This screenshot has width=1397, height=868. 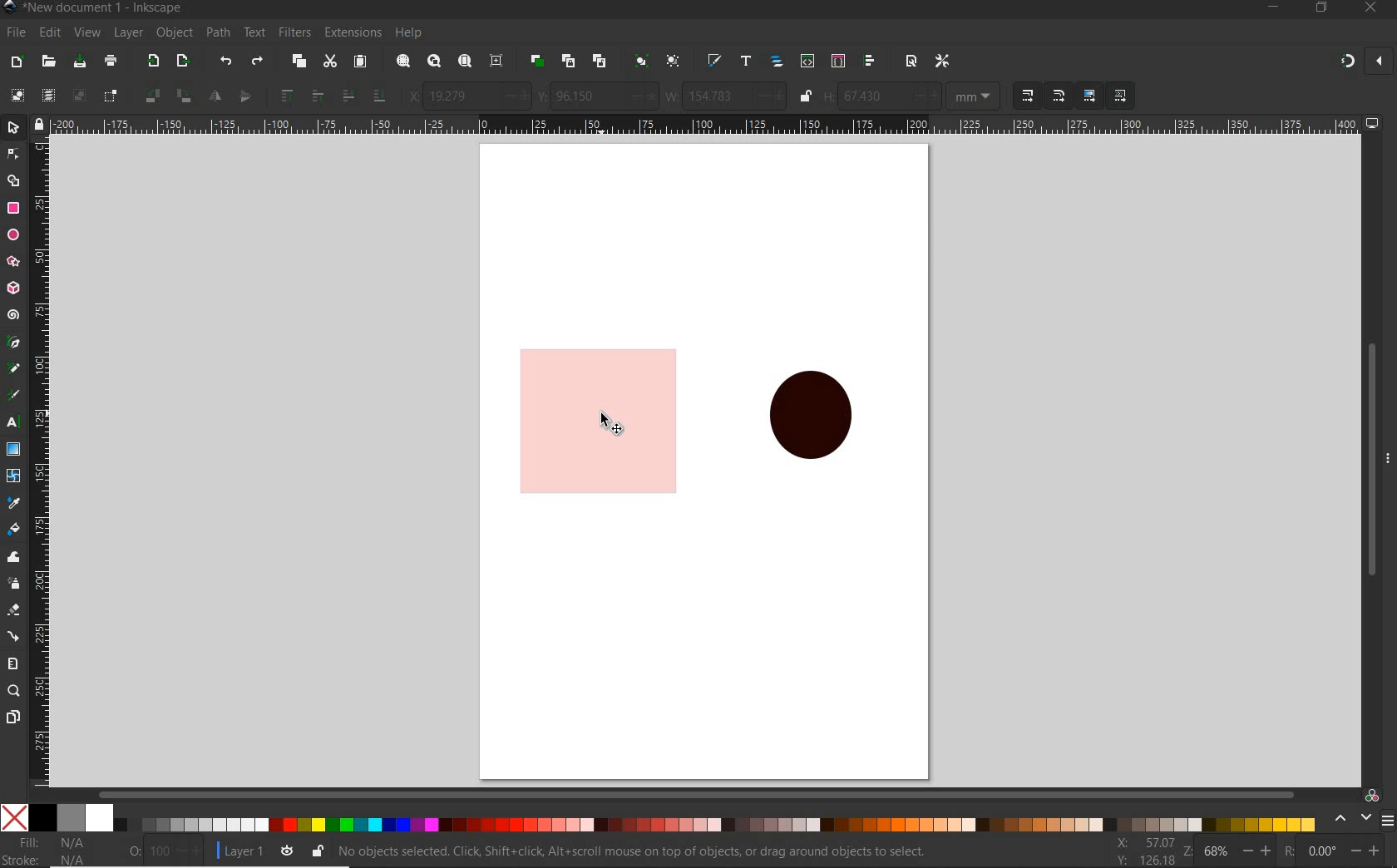 I want to click on restore, so click(x=1322, y=7).